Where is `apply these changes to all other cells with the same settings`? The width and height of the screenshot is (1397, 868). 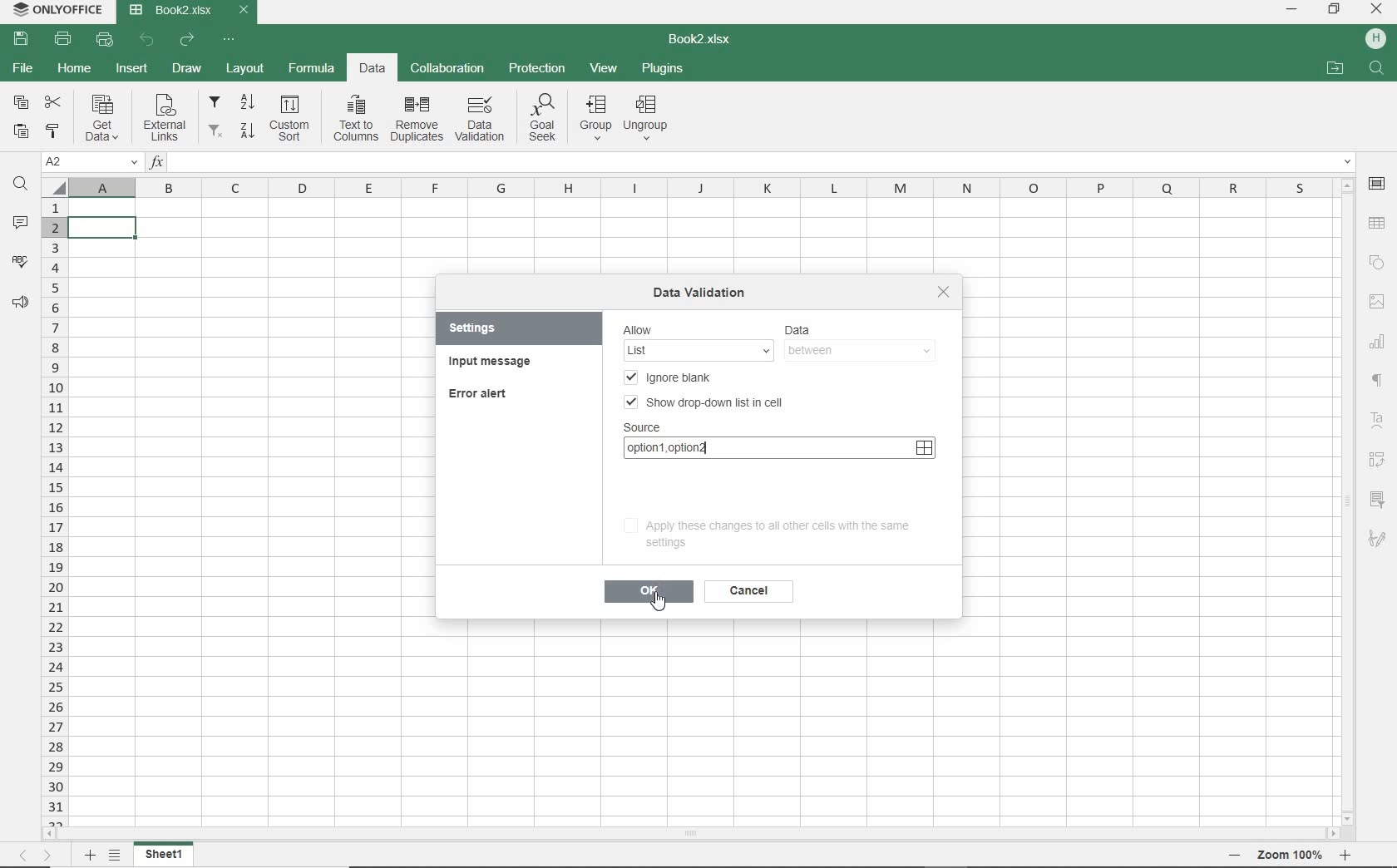
apply these changes to all other cells with the same settings is located at coordinates (766, 532).